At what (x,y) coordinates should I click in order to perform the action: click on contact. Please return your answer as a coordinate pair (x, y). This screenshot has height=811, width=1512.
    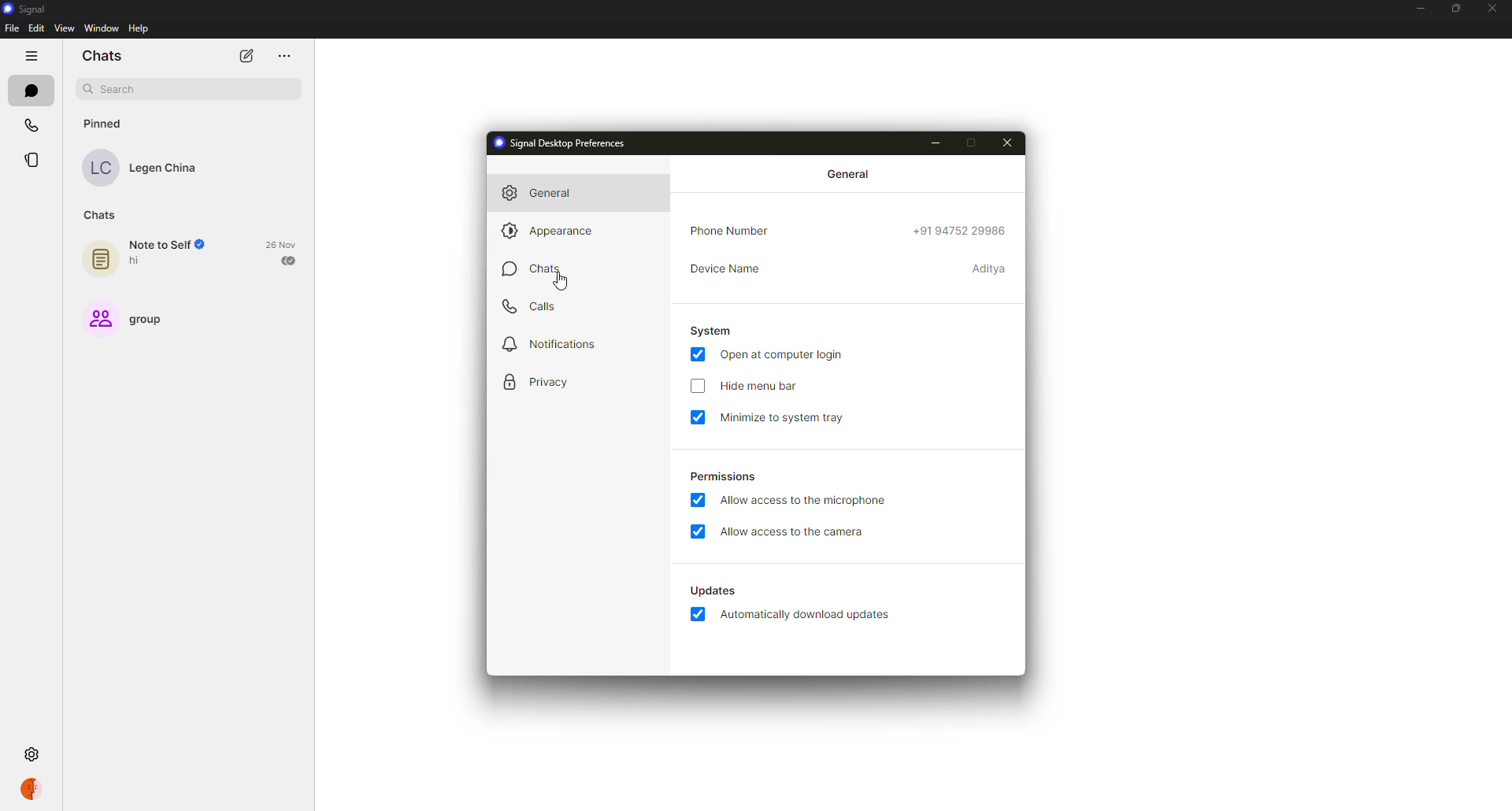
    Looking at the image, I should click on (143, 168).